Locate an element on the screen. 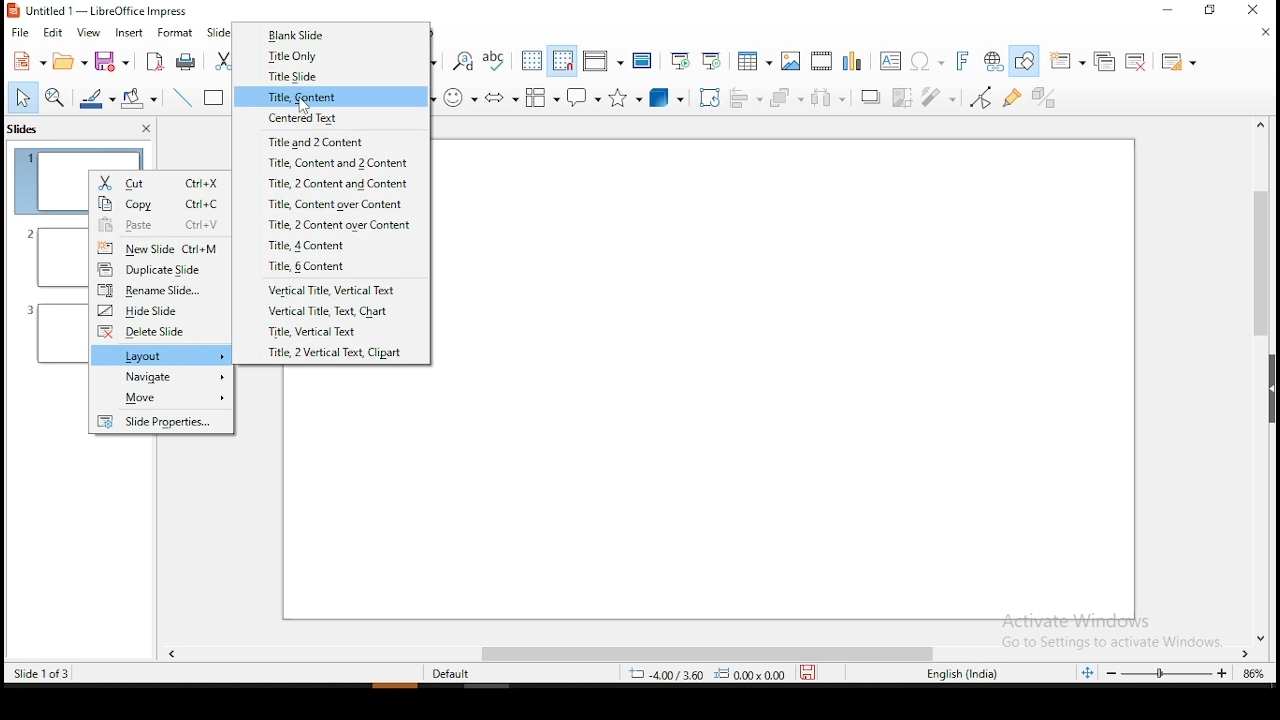  flowchart is located at coordinates (543, 99).